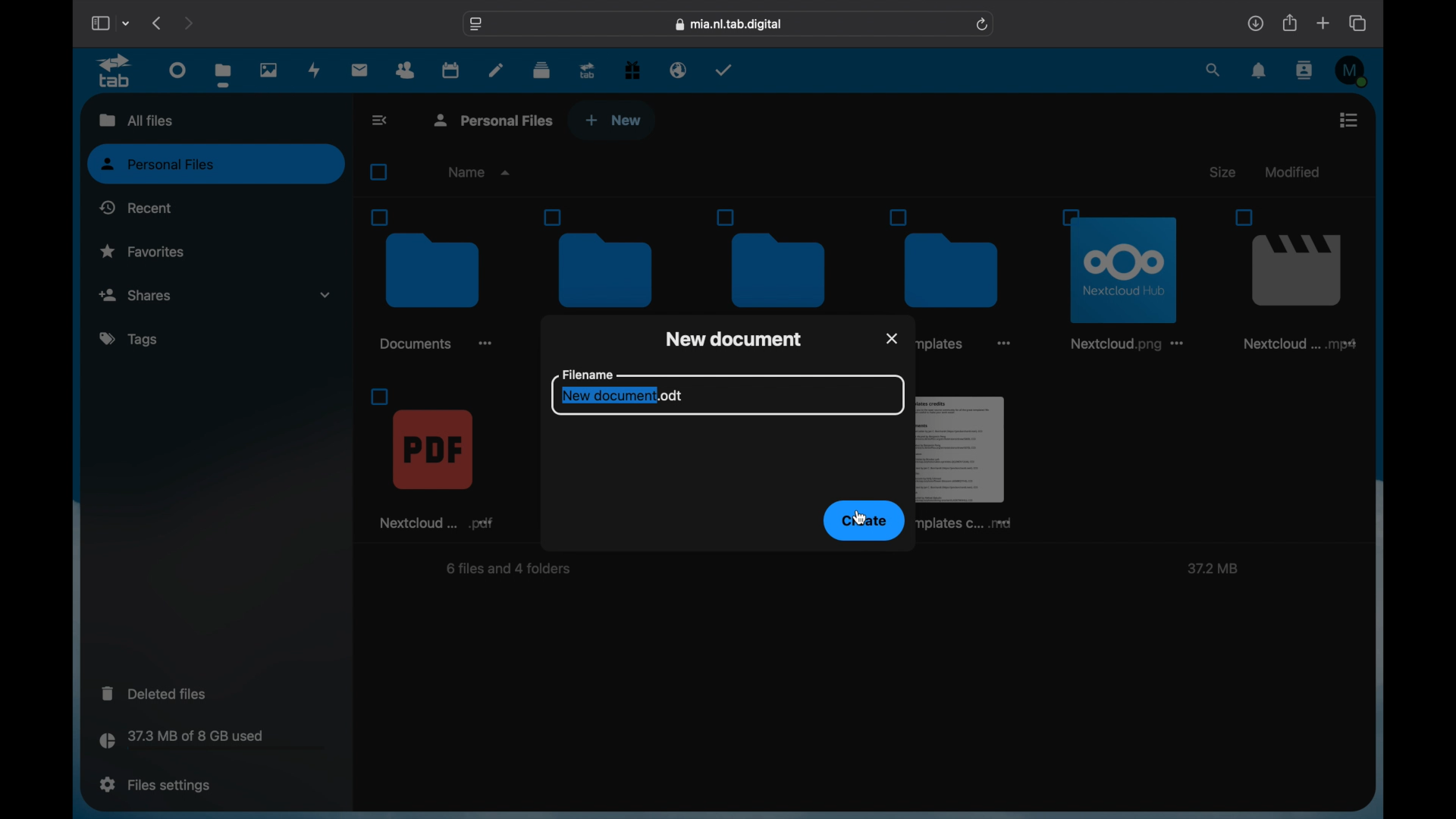 This screenshot has width=1456, height=819. What do you see at coordinates (99, 23) in the screenshot?
I see `show sidebar` at bounding box center [99, 23].